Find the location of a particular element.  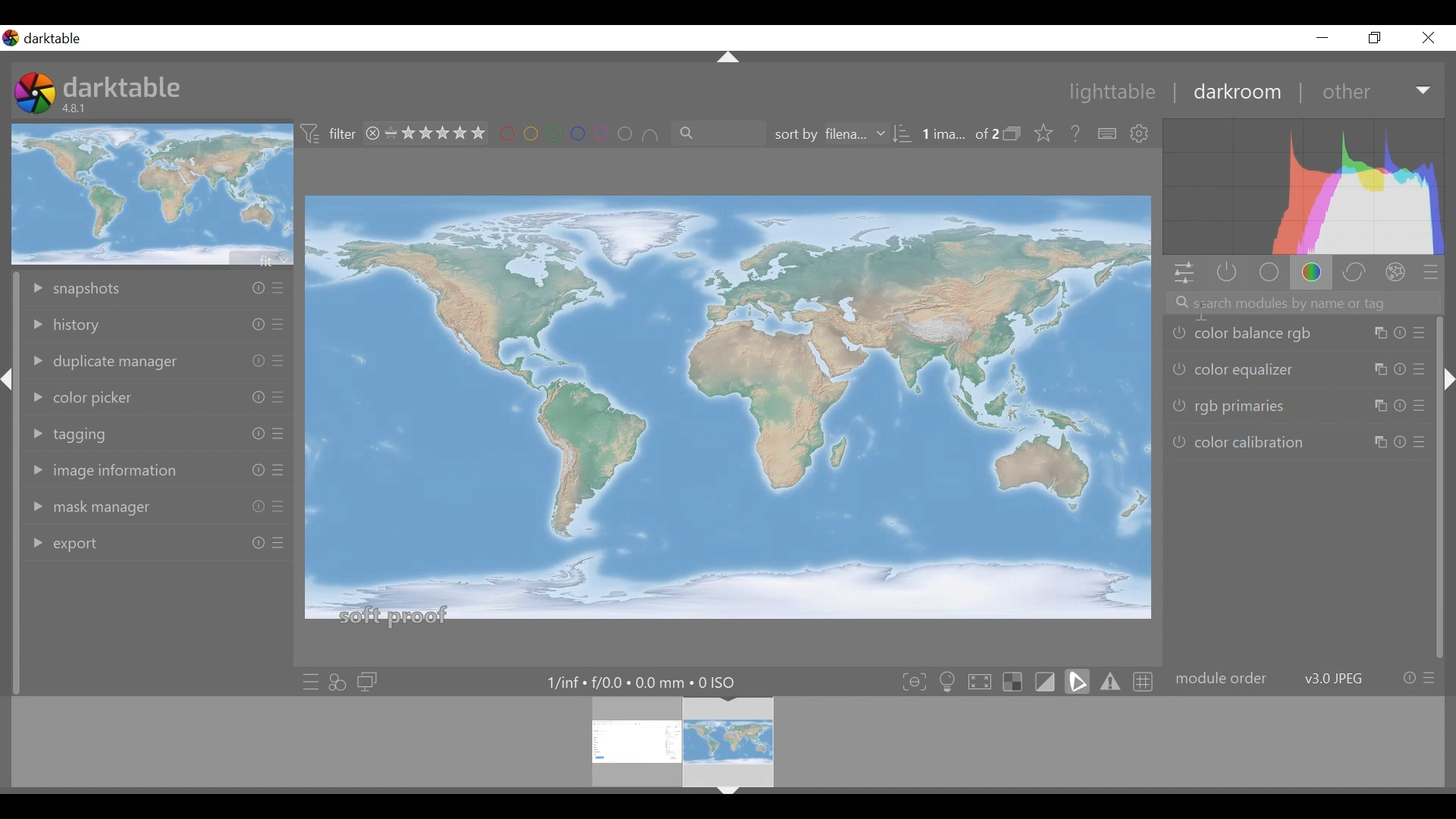

search module by name or tag is located at coordinates (1299, 304).